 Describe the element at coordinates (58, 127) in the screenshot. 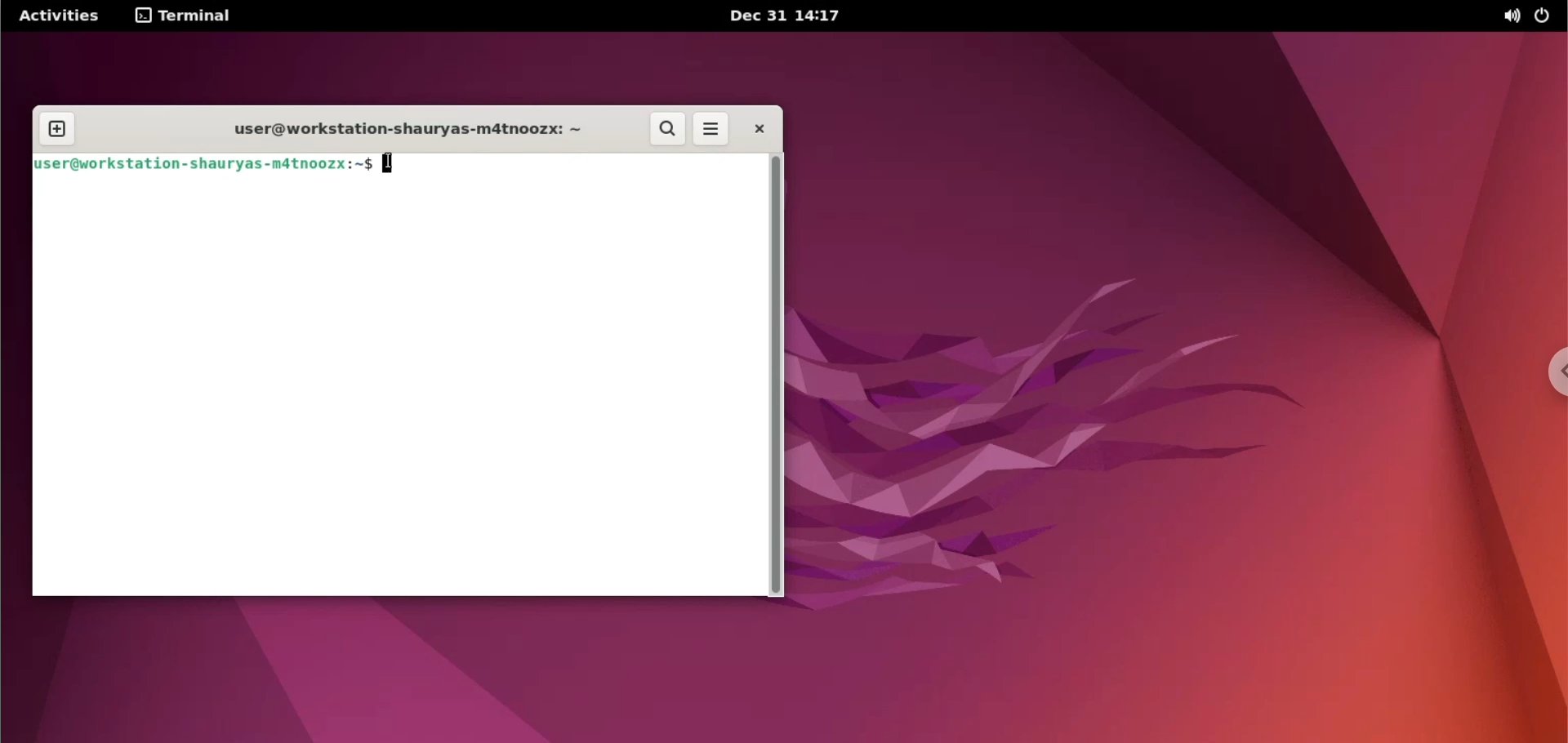

I see `new tab` at that location.